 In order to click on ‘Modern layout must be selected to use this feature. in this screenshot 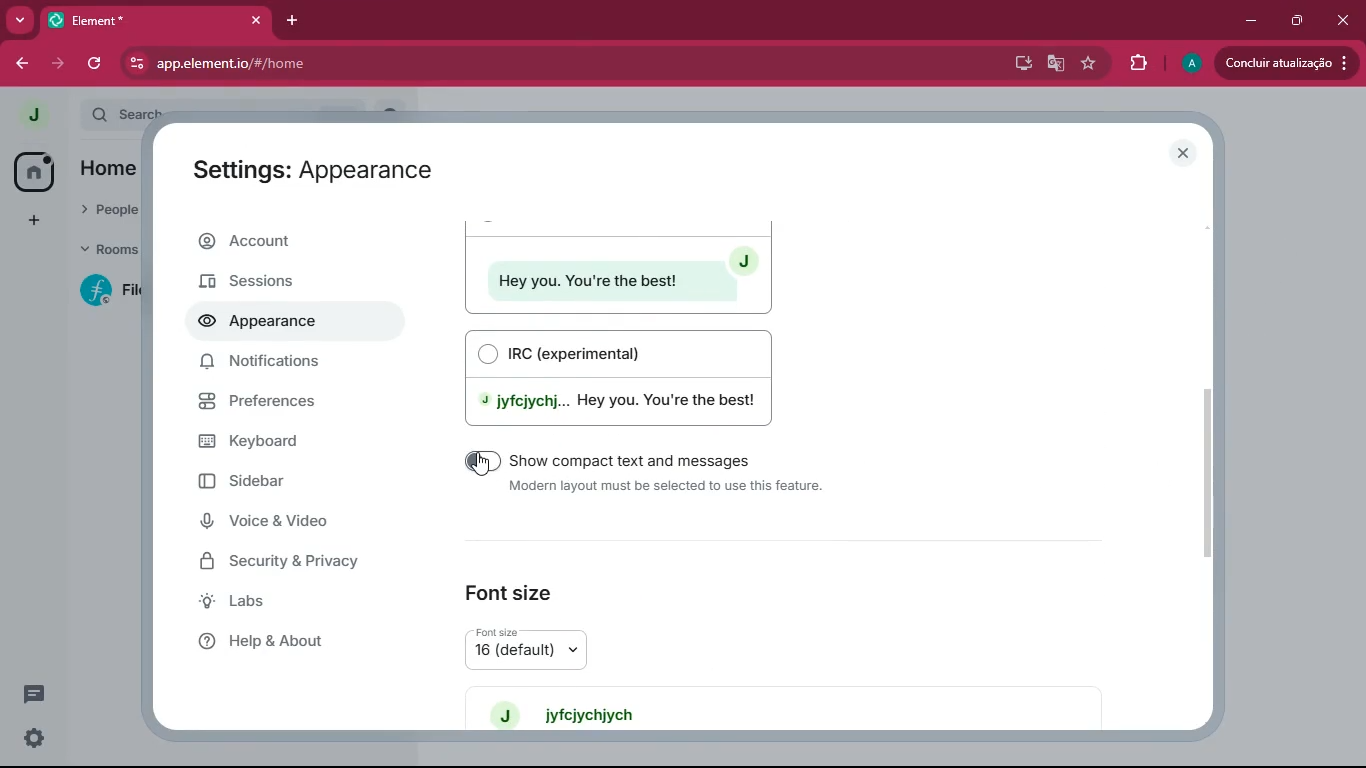, I will do `click(669, 488)`.